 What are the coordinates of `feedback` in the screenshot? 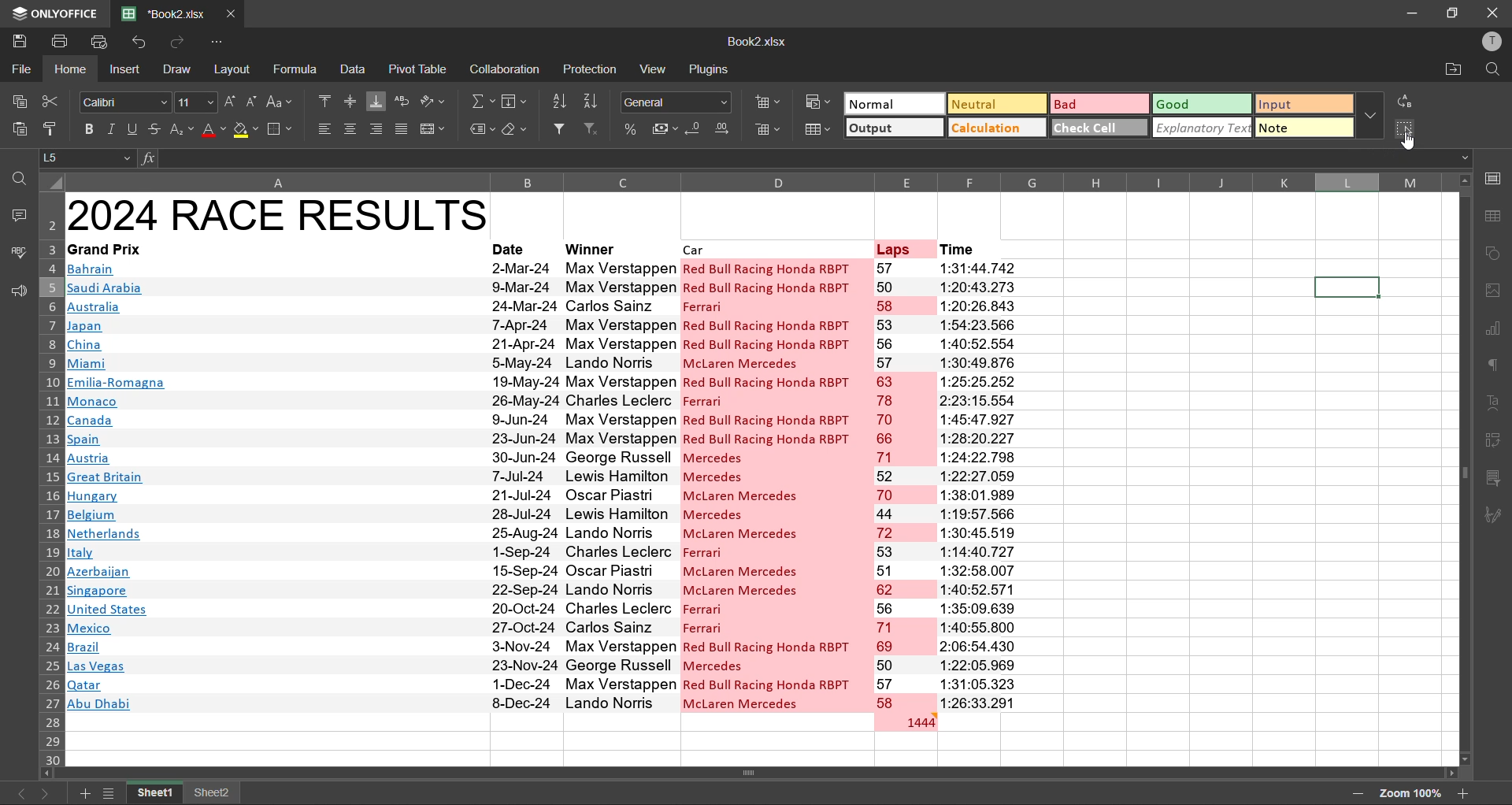 It's located at (17, 291).